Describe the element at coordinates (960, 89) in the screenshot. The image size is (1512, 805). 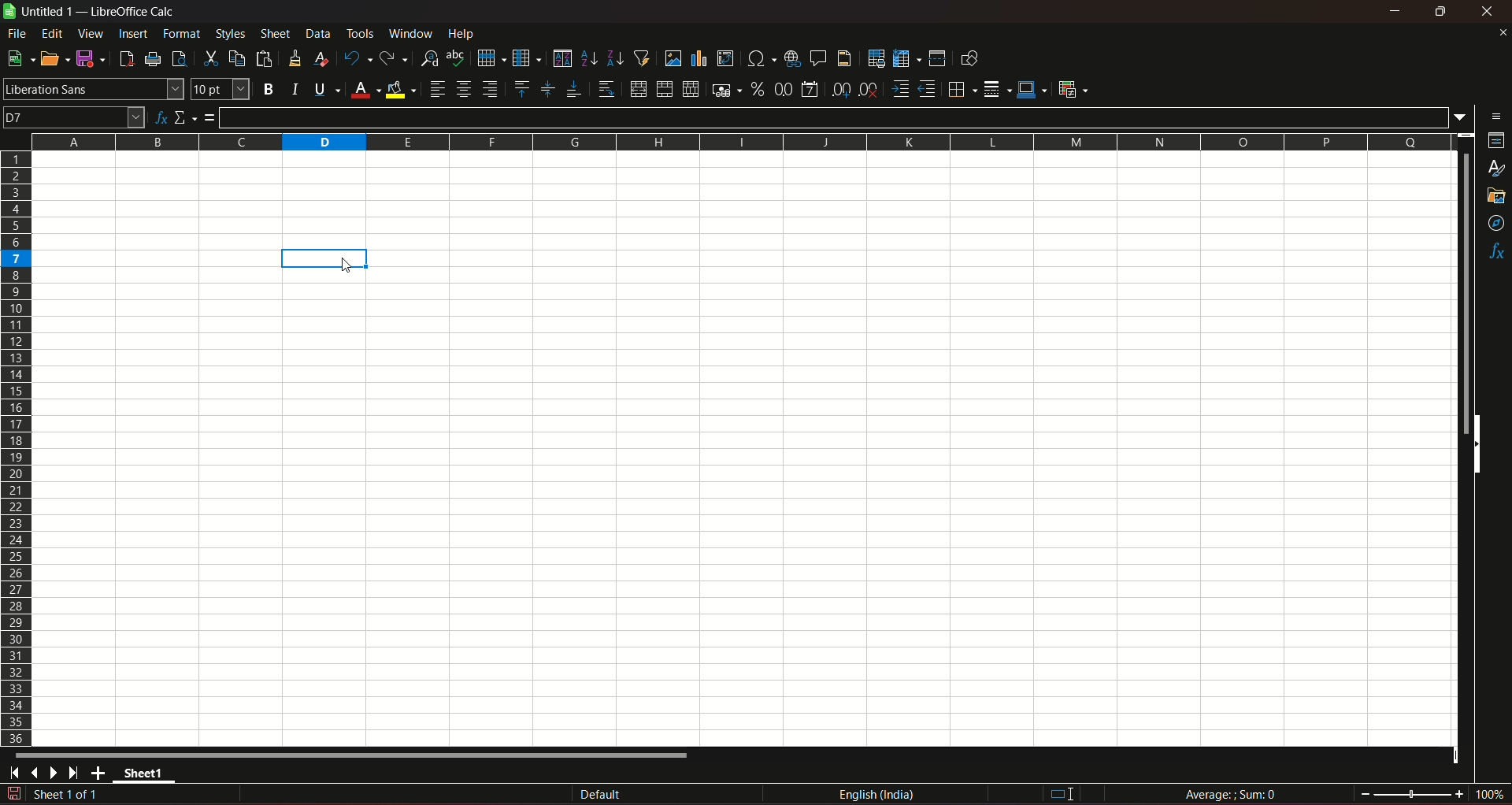
I see `borders` at that location.